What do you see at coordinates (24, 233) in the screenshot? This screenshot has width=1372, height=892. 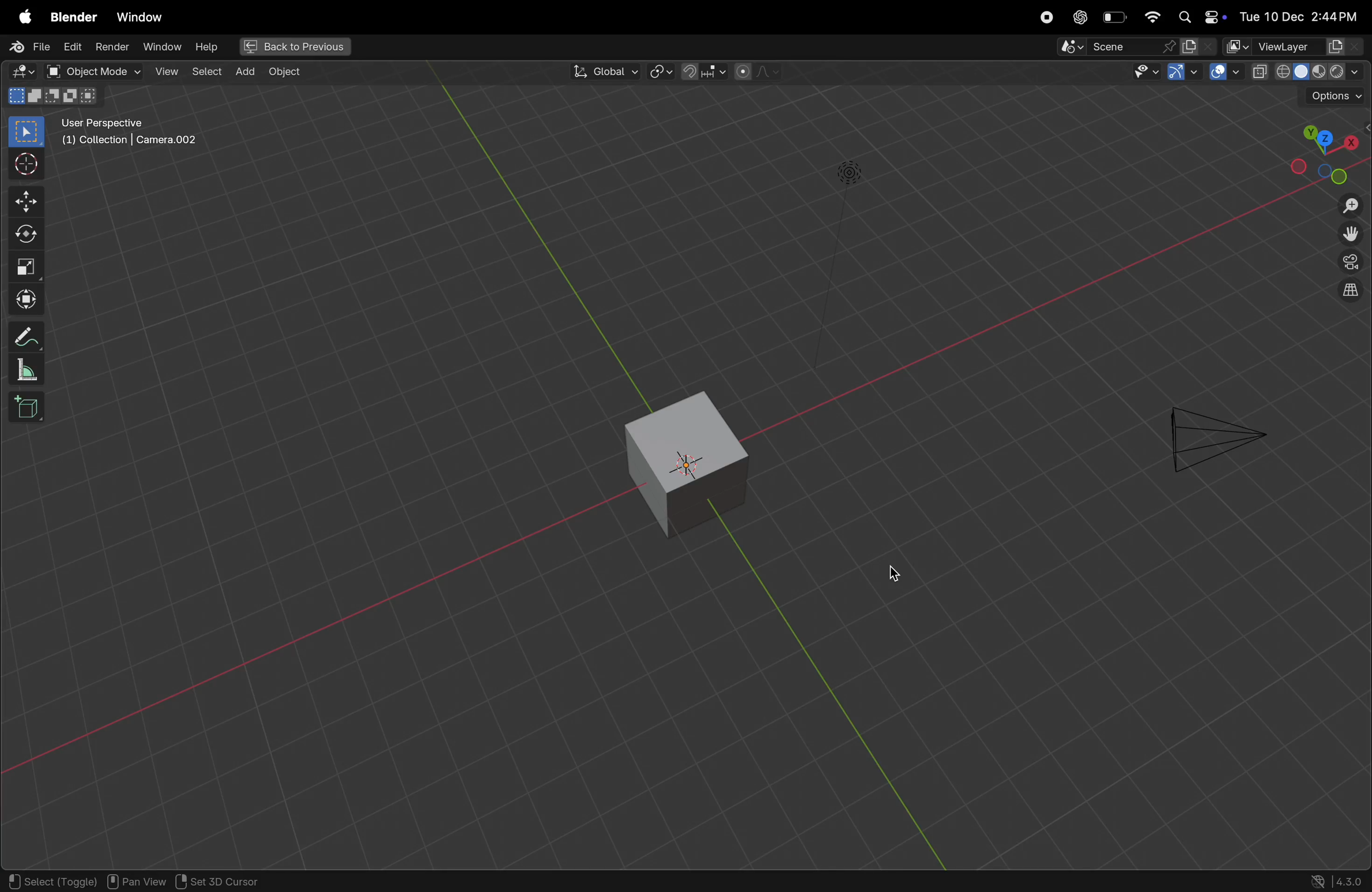 I see `rotate ` at bounding box center [24, 233].